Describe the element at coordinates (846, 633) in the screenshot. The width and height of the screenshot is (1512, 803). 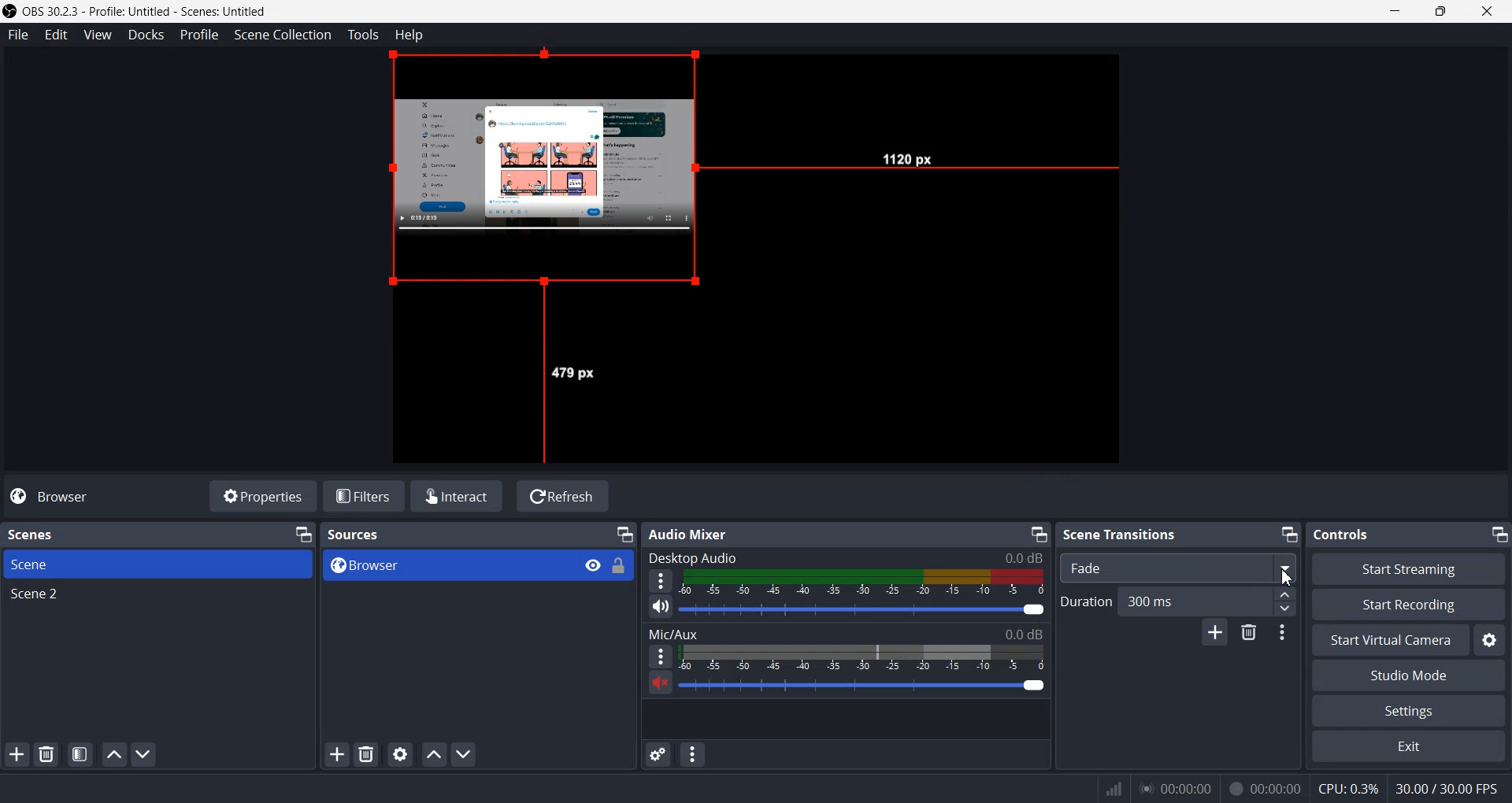
I see `Text` at that location.